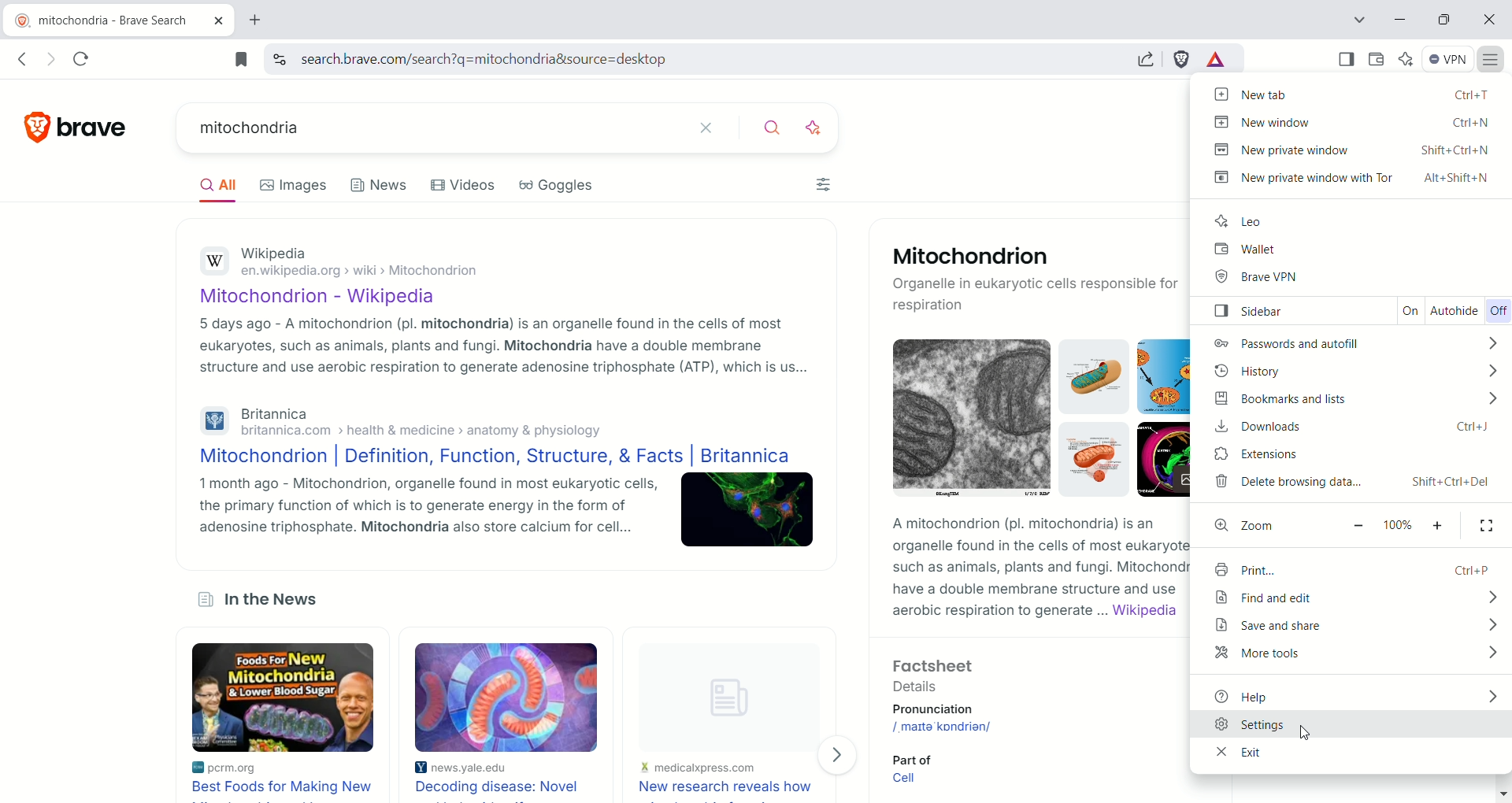 The image size is (1512, 803). Describe the element at coordinates (1410, 310) in the screenshot. I see `on` at that location.